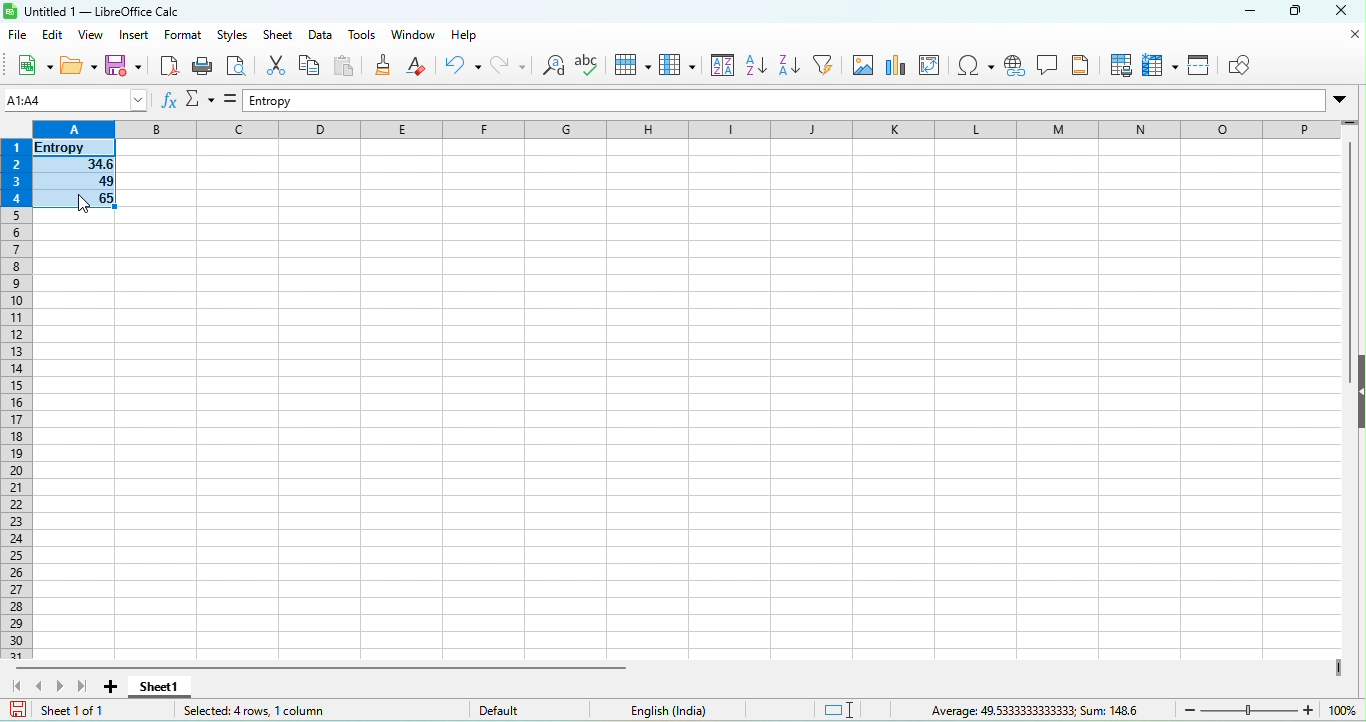  What do you see at coordinates (783, 102) in the screenshot?
I see `formula bar` at bounding box center [783, 102].